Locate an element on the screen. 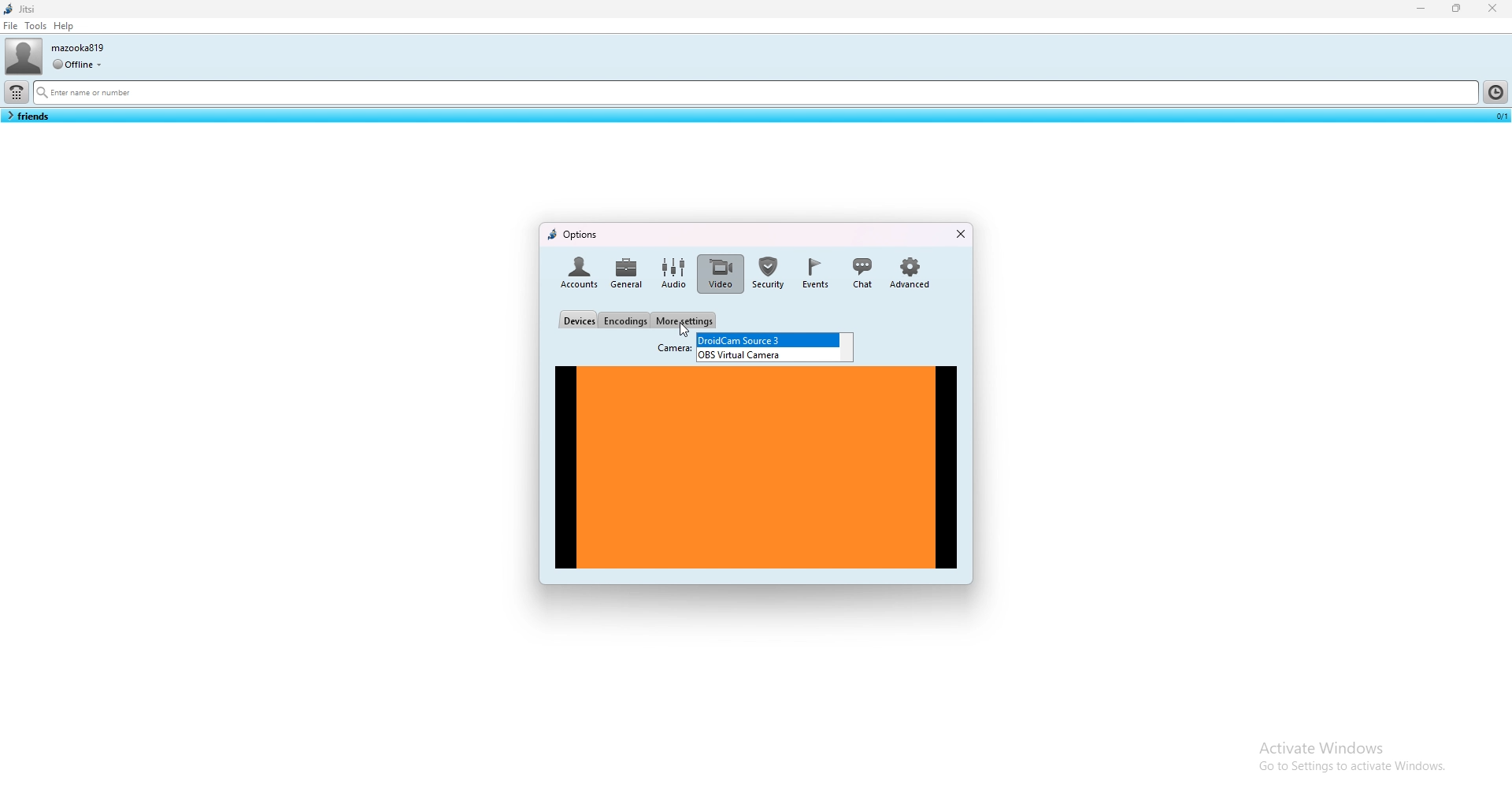 Image resolution: width=1512 pixels, height=811 pixels. help is located at coordinates (65, 26).